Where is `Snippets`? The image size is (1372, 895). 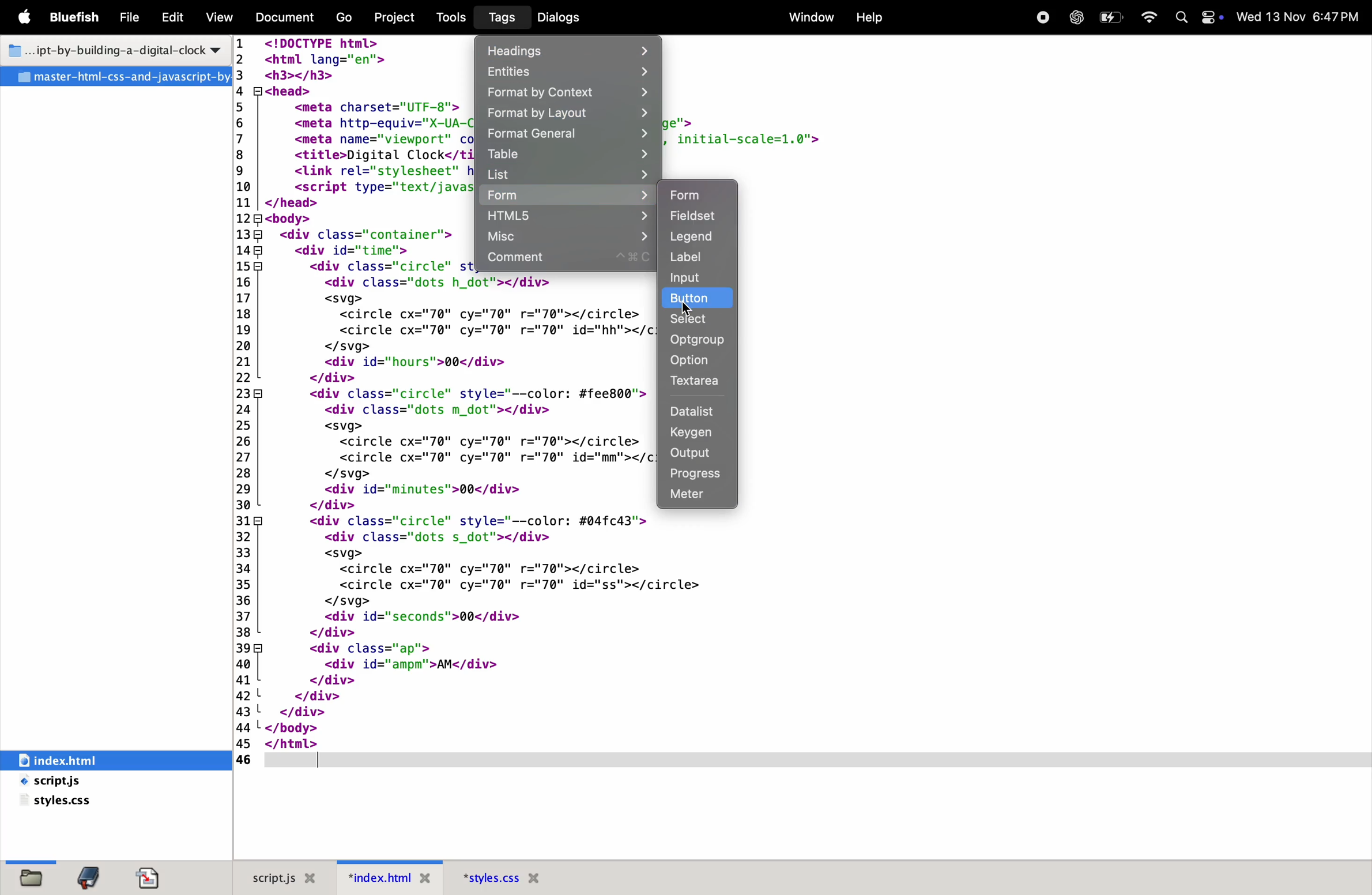
Snippets is located at coordinates (156, 877).